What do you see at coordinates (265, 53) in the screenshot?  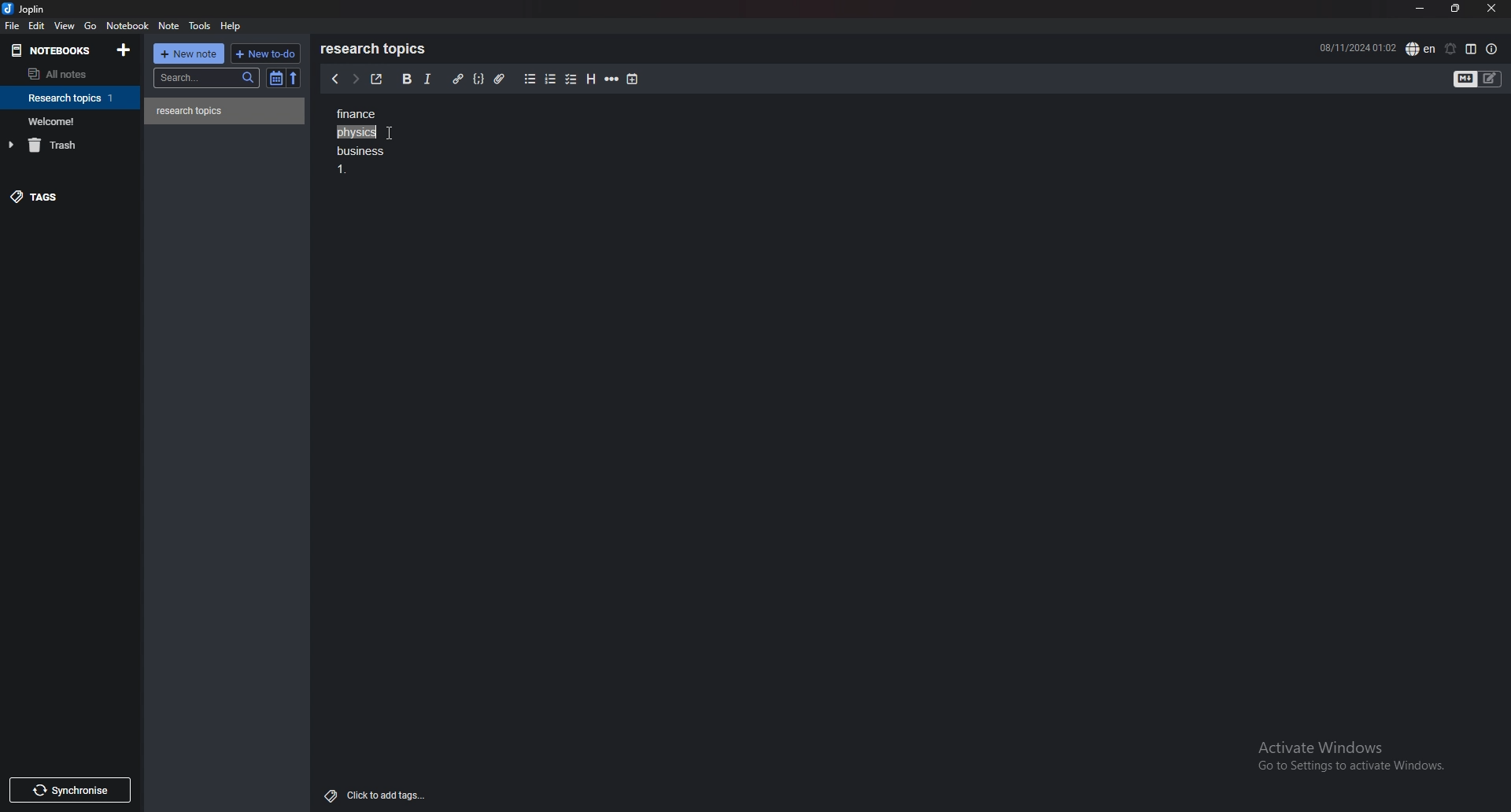 I see `new todo` at bounding box center [265, 53].